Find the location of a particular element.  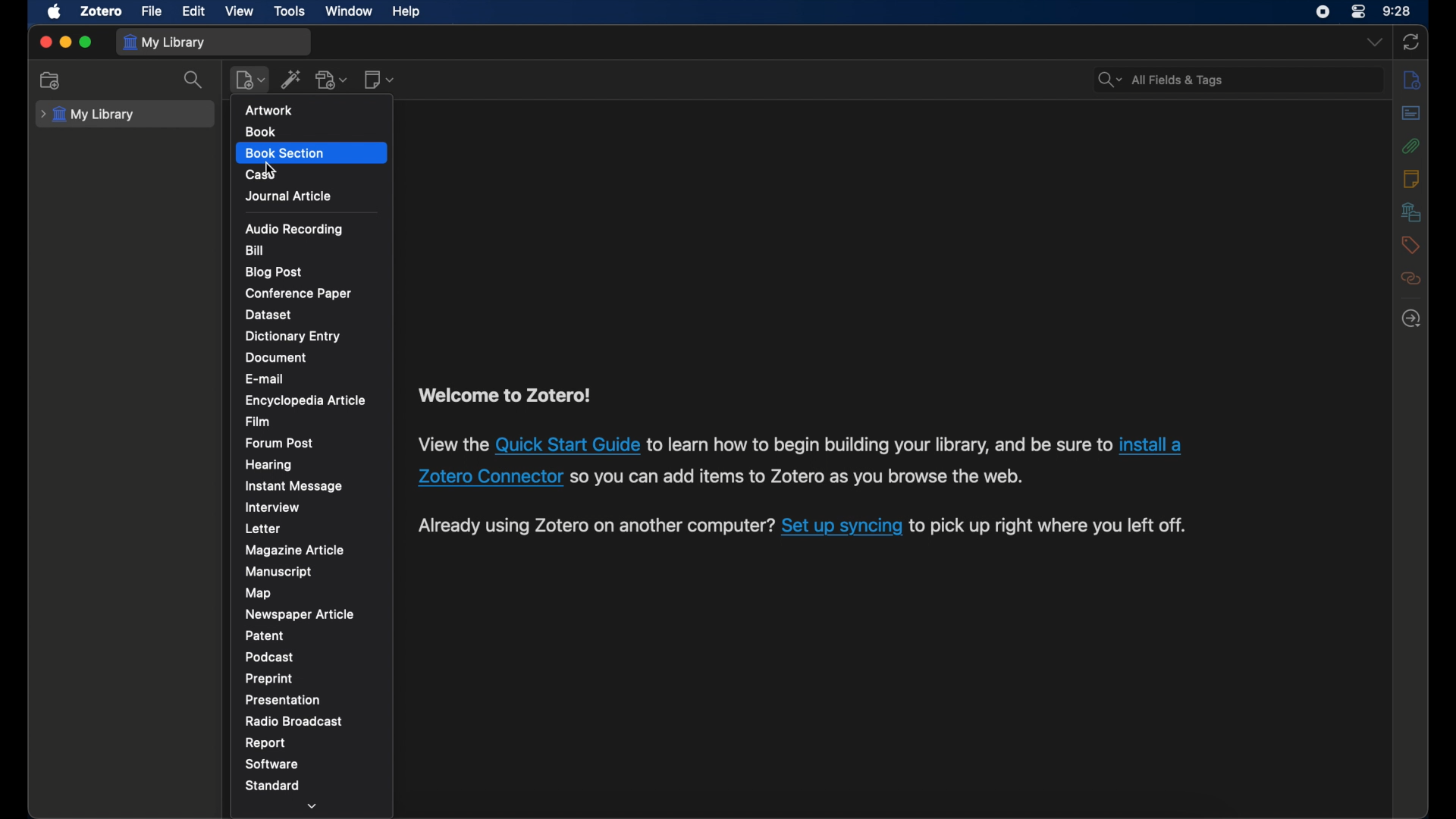

blog post  is located at coordinates (274, 271).